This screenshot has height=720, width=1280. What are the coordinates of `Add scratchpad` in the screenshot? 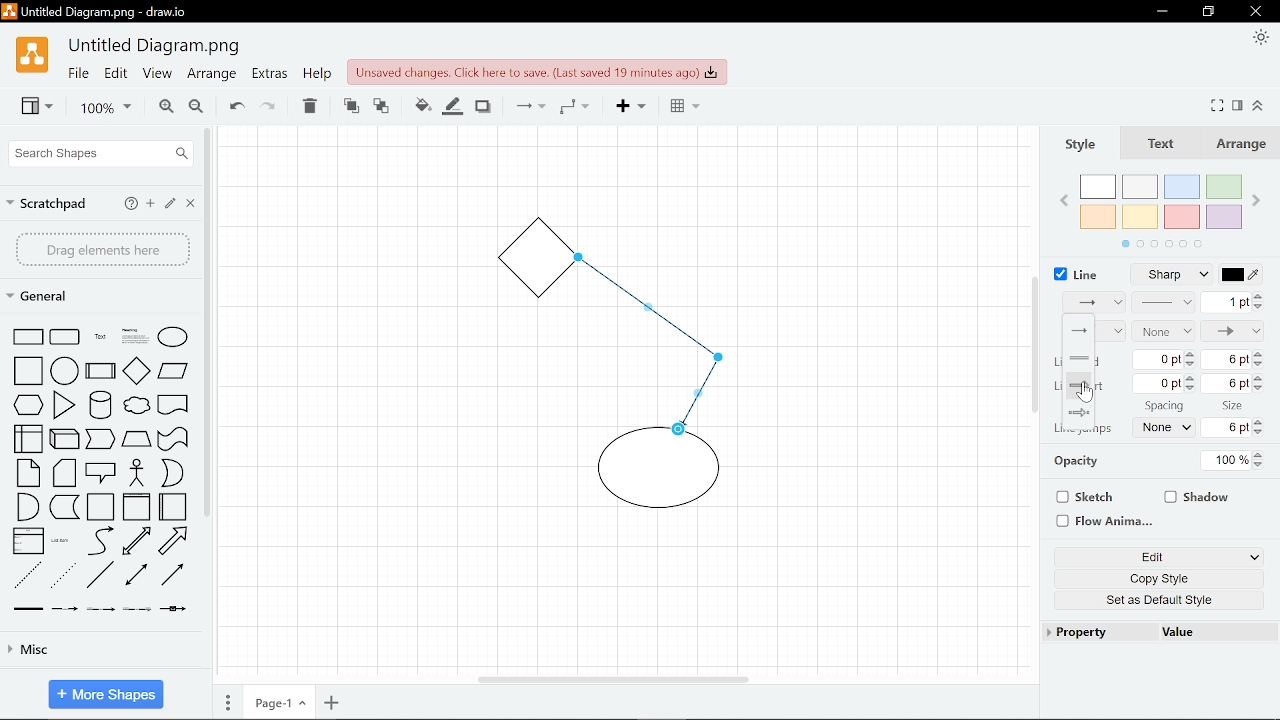 It's located at (151, 204).